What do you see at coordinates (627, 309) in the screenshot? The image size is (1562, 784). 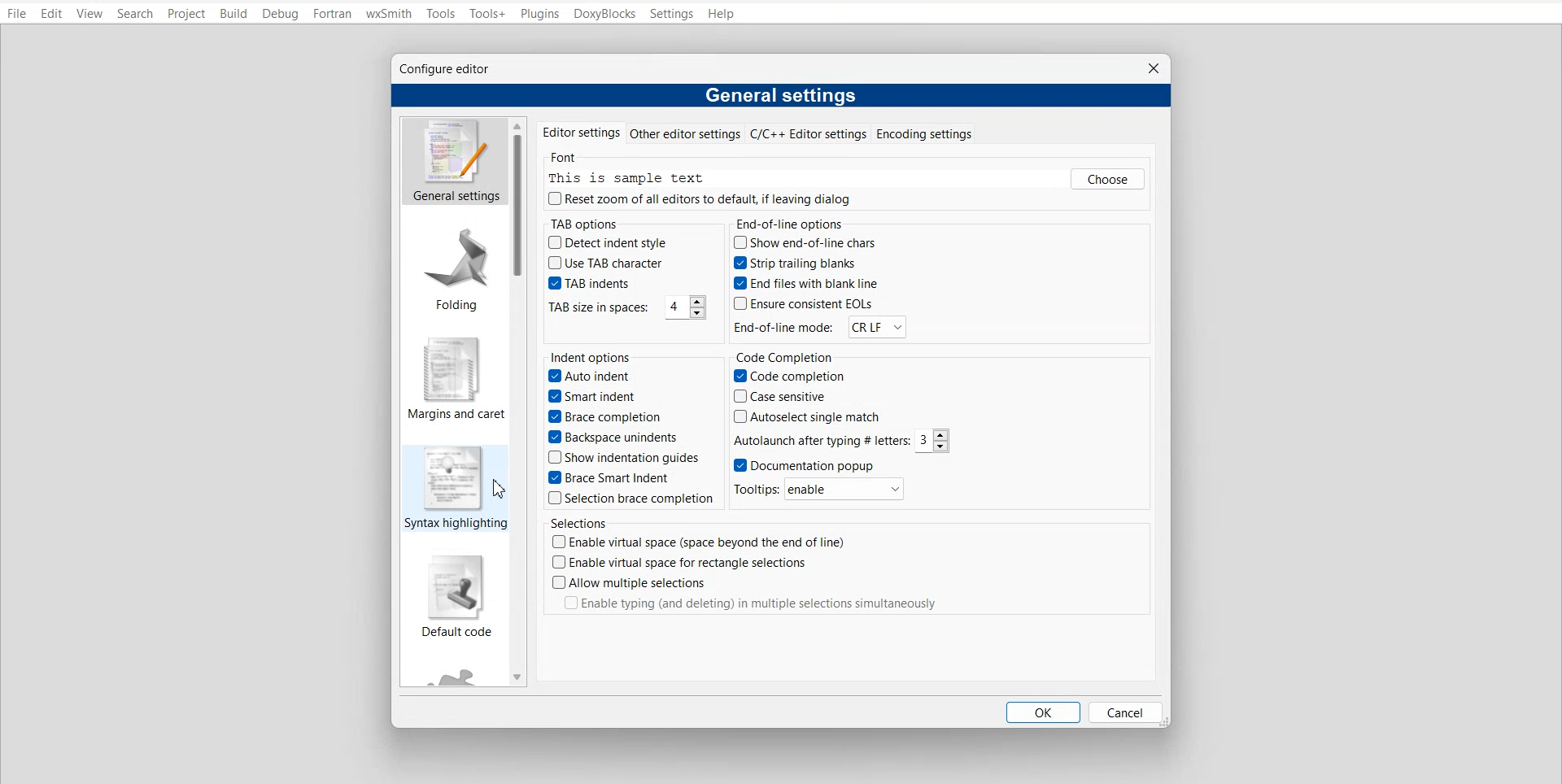 I see `TAB size in spaces` at bounding box center [627, 309].